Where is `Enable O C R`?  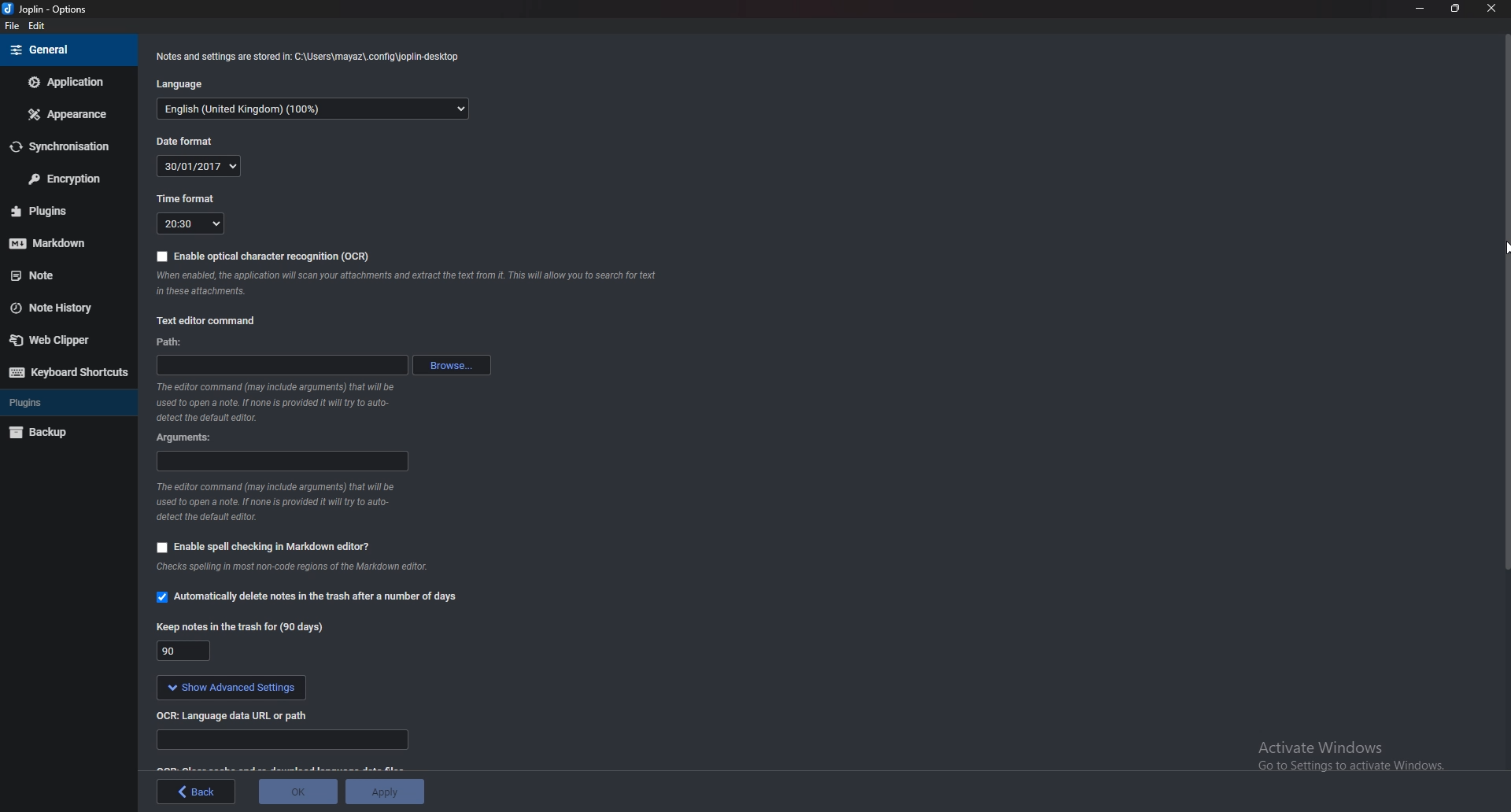
Enable O C R is located at coordinates (264, 257).